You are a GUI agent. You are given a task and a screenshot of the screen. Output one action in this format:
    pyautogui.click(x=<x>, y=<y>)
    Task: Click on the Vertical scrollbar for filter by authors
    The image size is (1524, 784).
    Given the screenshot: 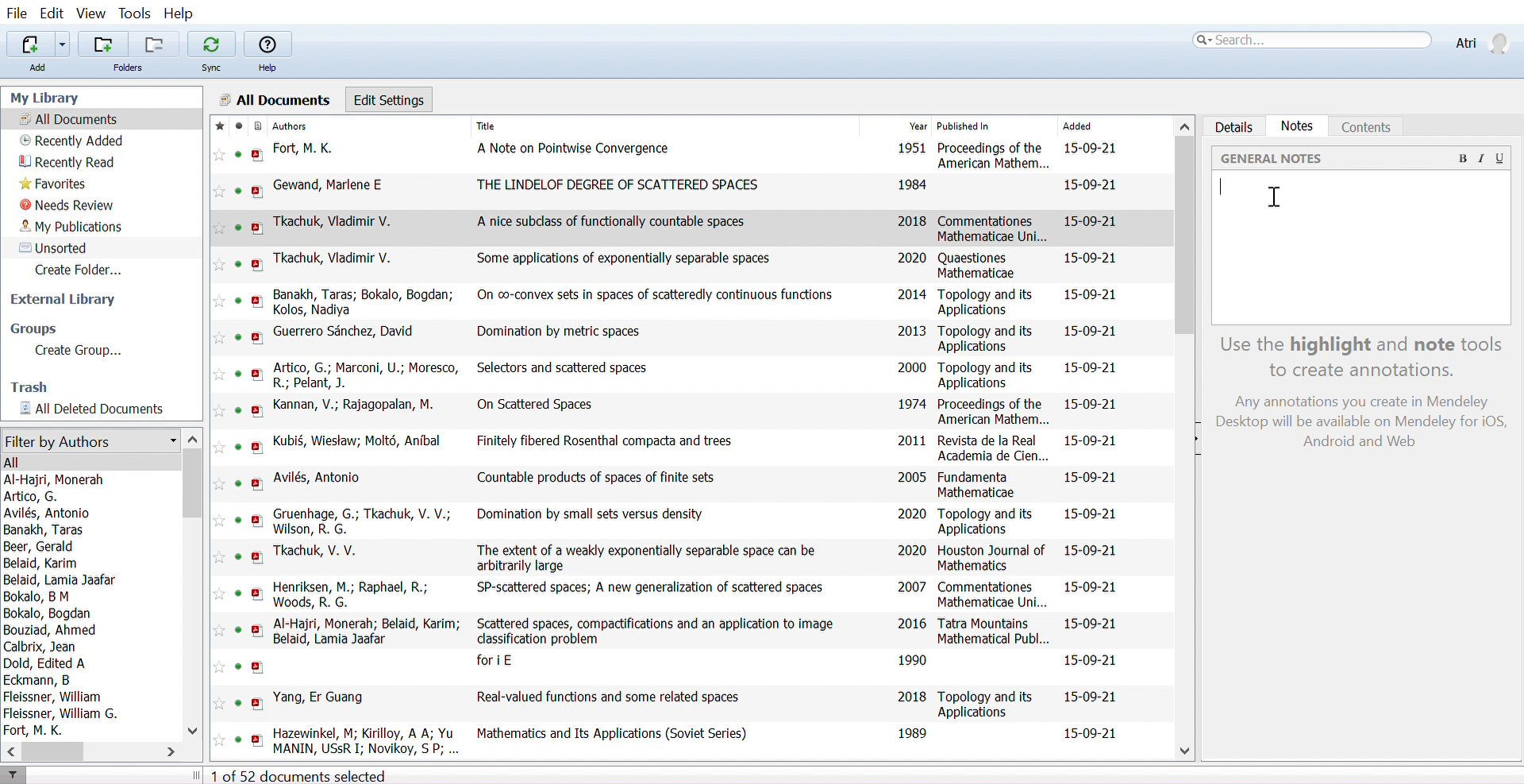 What is the action you would take?
    pyautogui.click(x=194, y=485)
    